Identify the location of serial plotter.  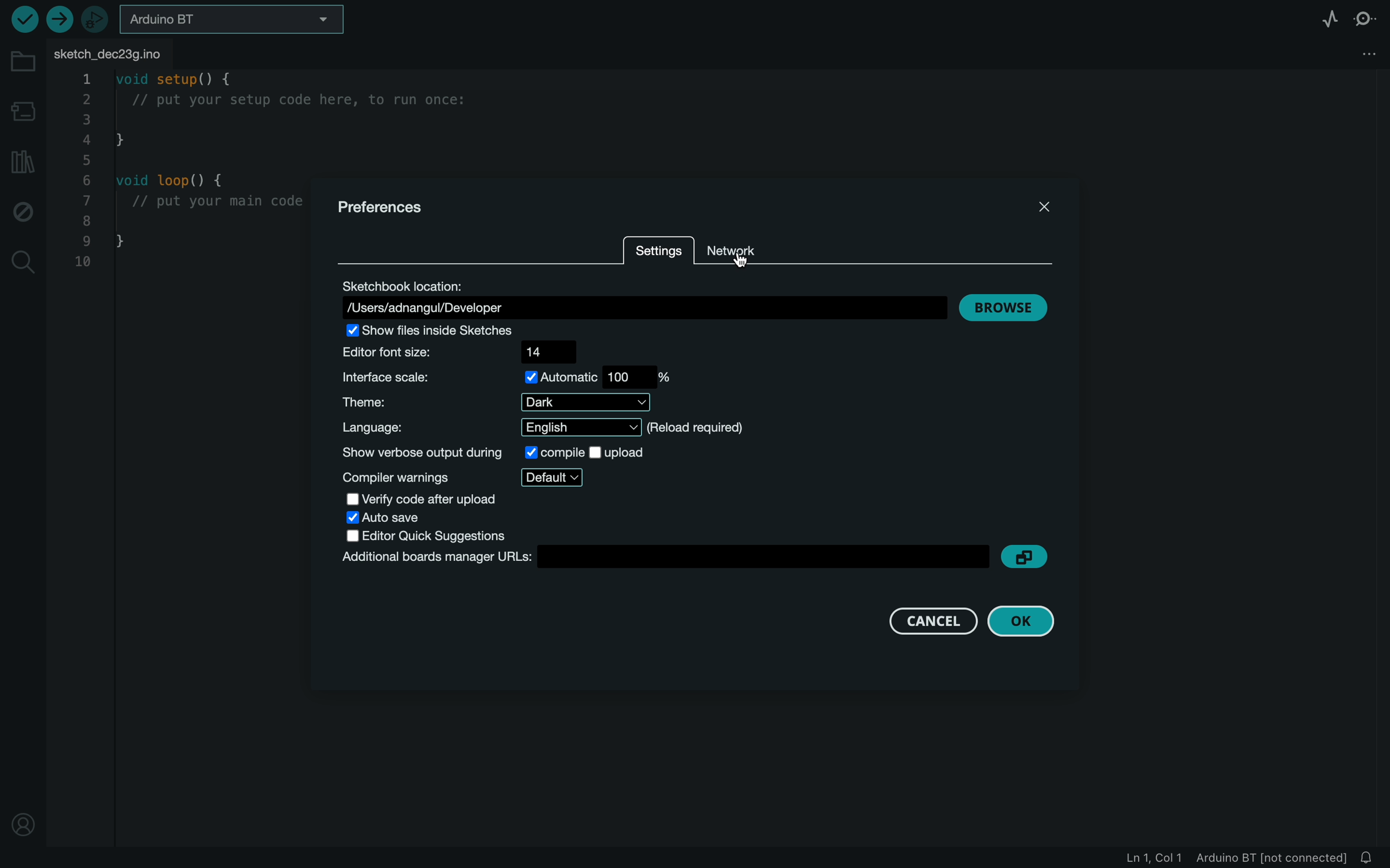
(1323, 18).